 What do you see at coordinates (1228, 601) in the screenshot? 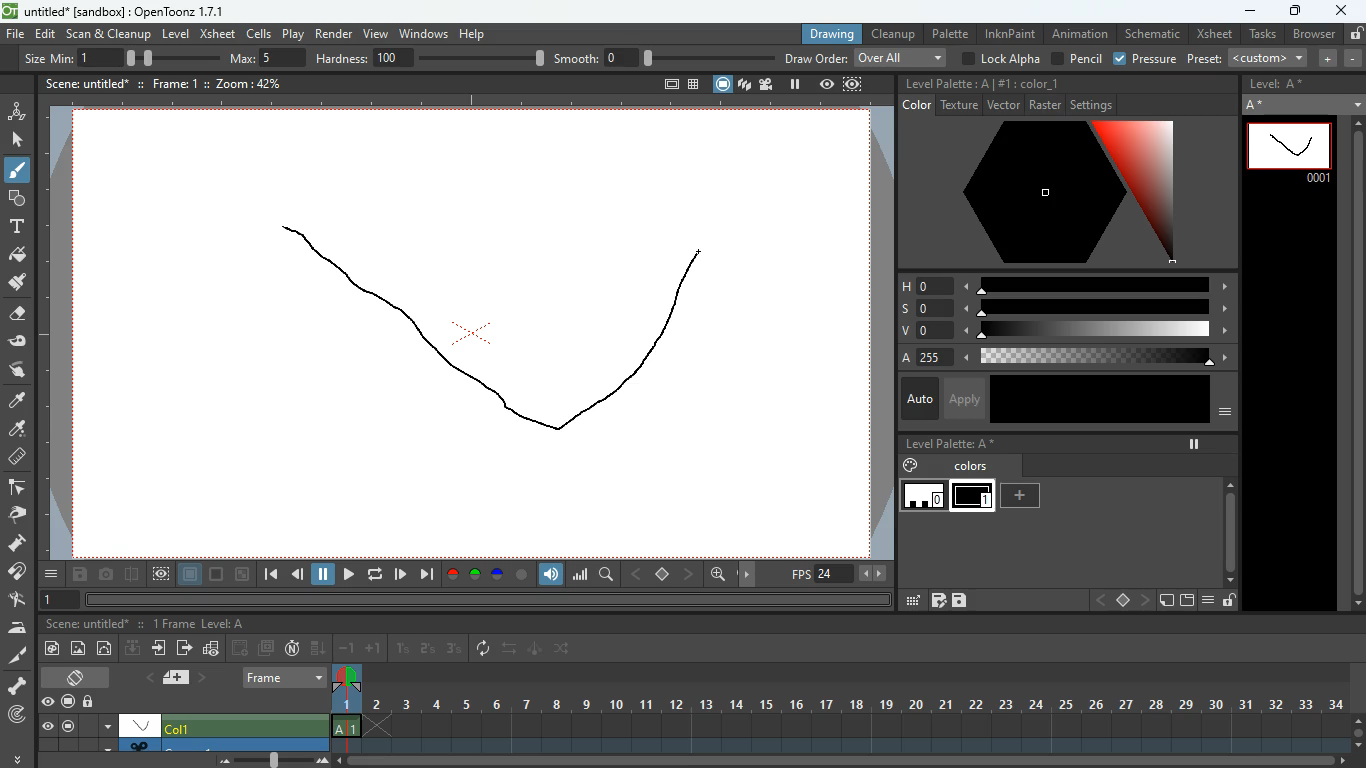
I see `unlock` at bounding box center [1228, 601].